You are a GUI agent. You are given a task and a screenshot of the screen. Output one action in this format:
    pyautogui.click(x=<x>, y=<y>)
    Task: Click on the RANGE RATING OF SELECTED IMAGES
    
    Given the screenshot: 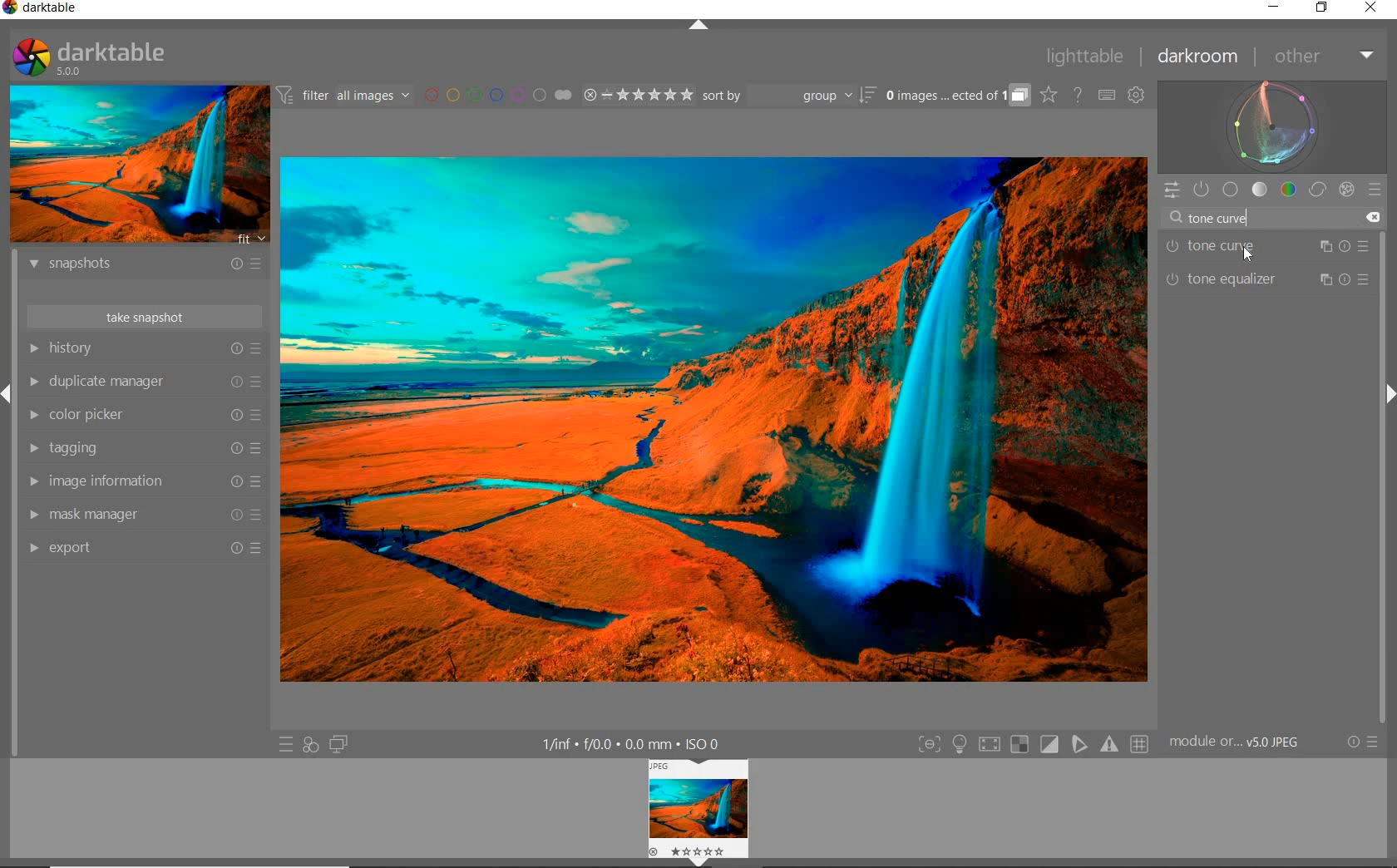 What is the action you would take?
    pyautogui.click(x=638, y=94)
    